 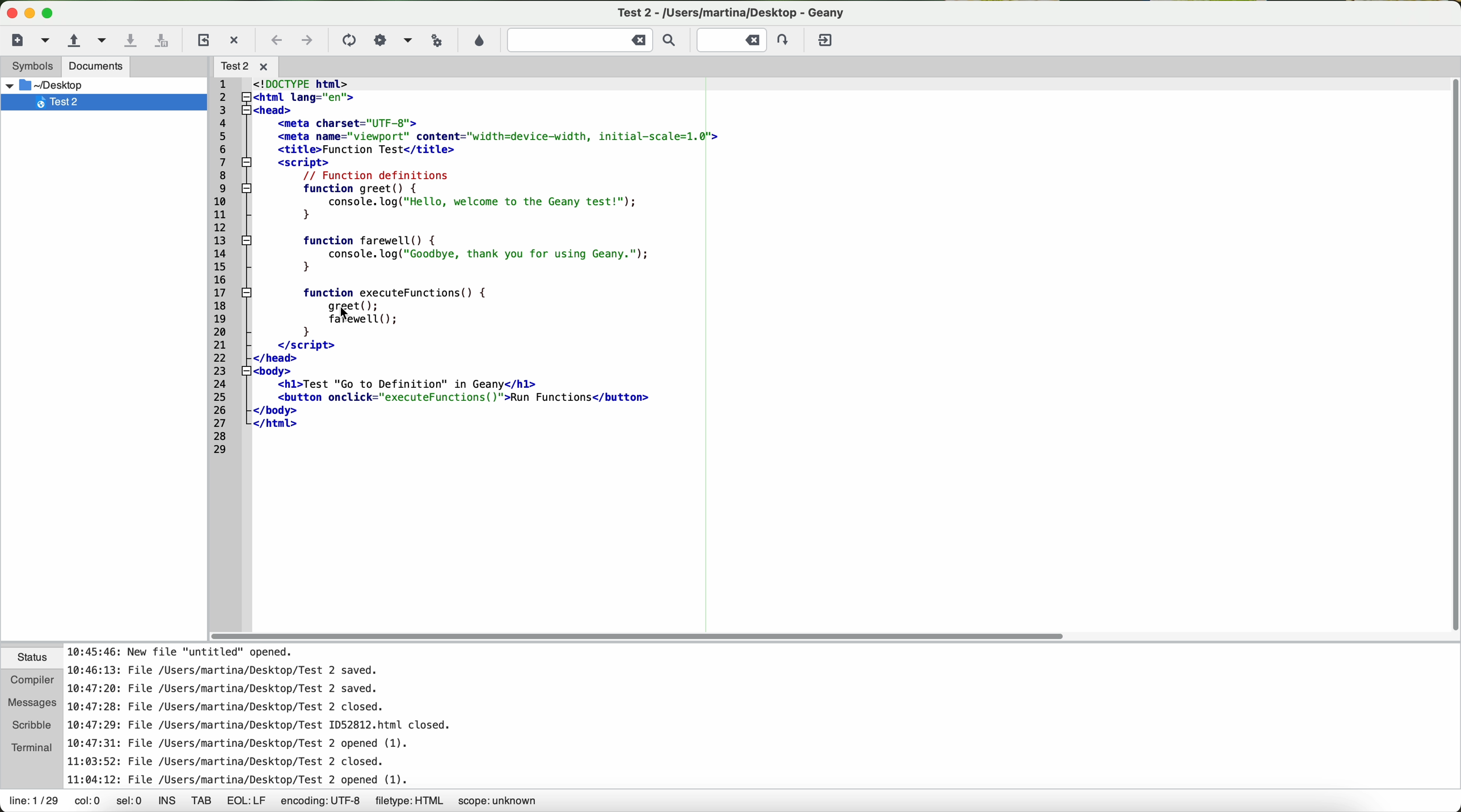 What do you see at coordinates (48, 42) in the screenshot?
I see `create a new file from a template` at bounding box center [48, 42].